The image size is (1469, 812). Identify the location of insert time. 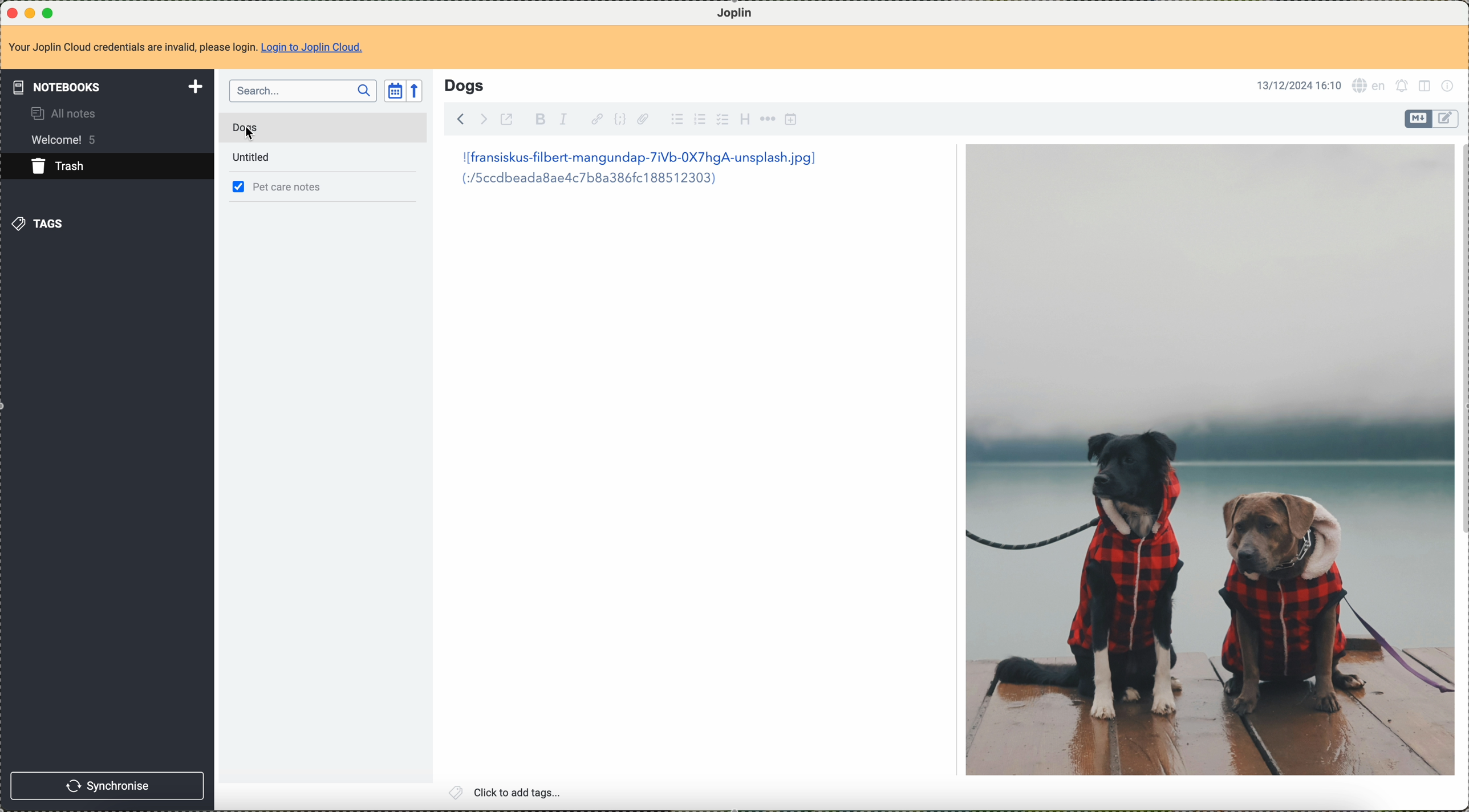
(792, 120).